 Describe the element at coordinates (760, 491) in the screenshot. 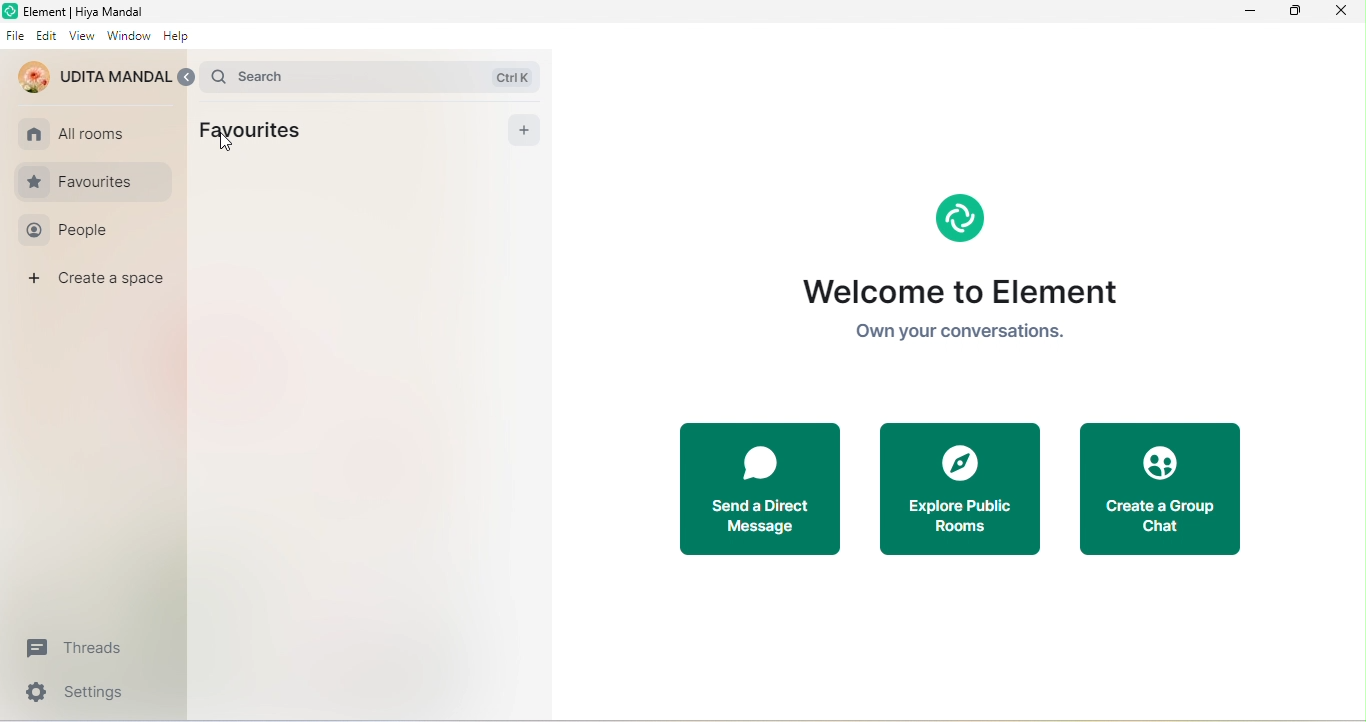

I see `send a direct message` at that location.